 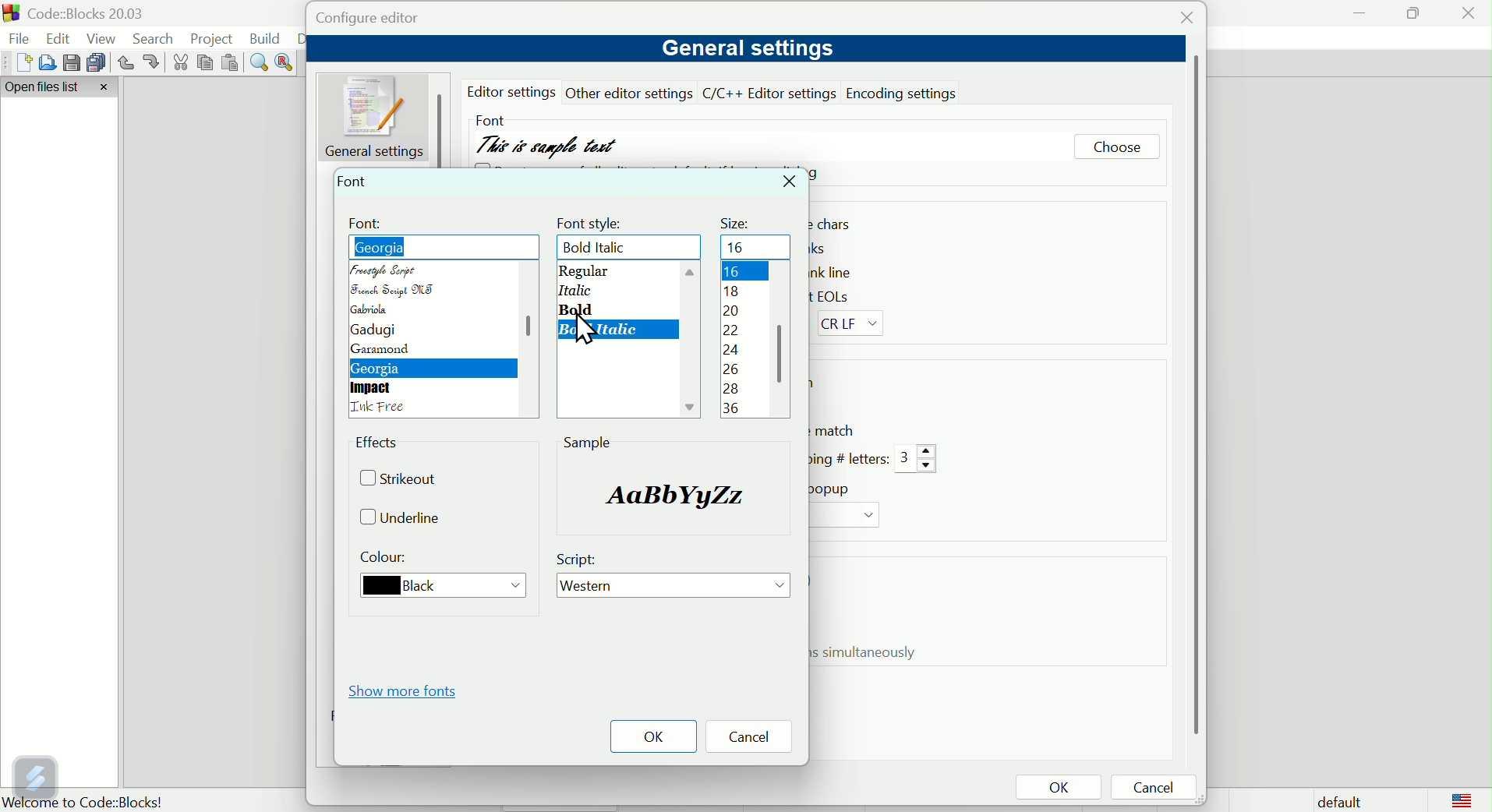 What do you see at coordinates (266, 38) in the screenshot?
I see `Build` at bounding box center [266, 38].